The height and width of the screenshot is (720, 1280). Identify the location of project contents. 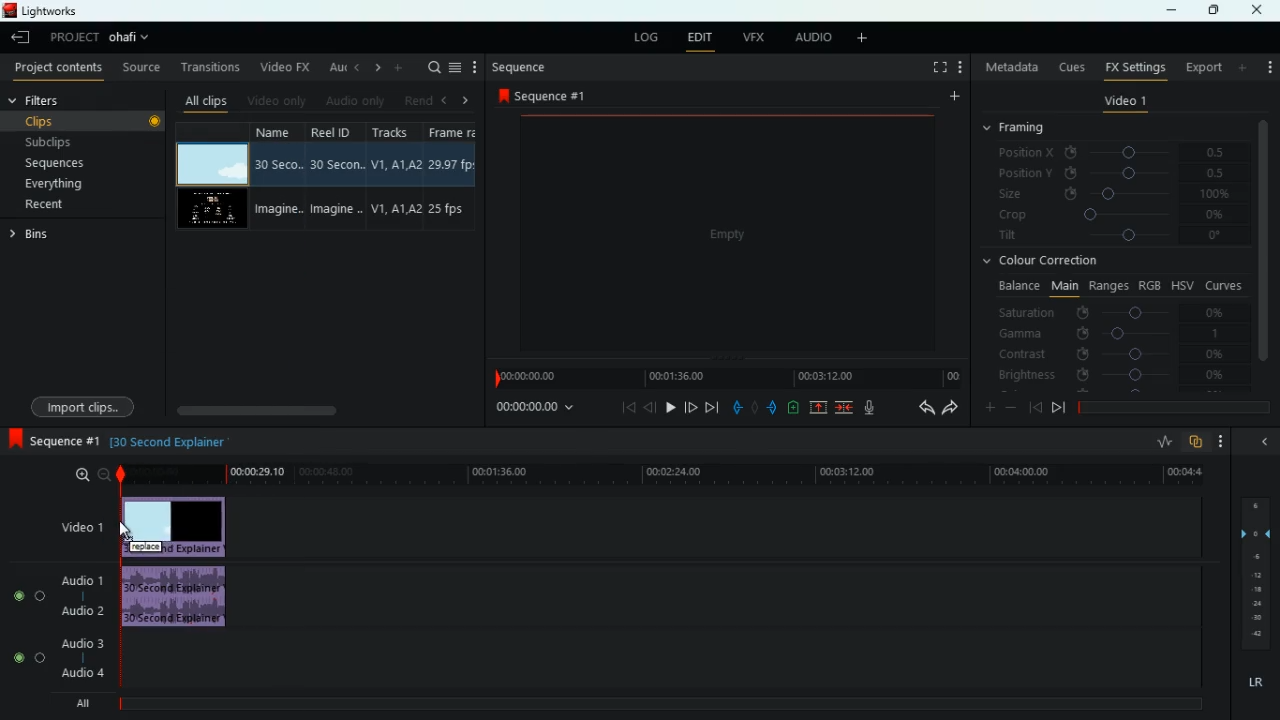
(56, 69).